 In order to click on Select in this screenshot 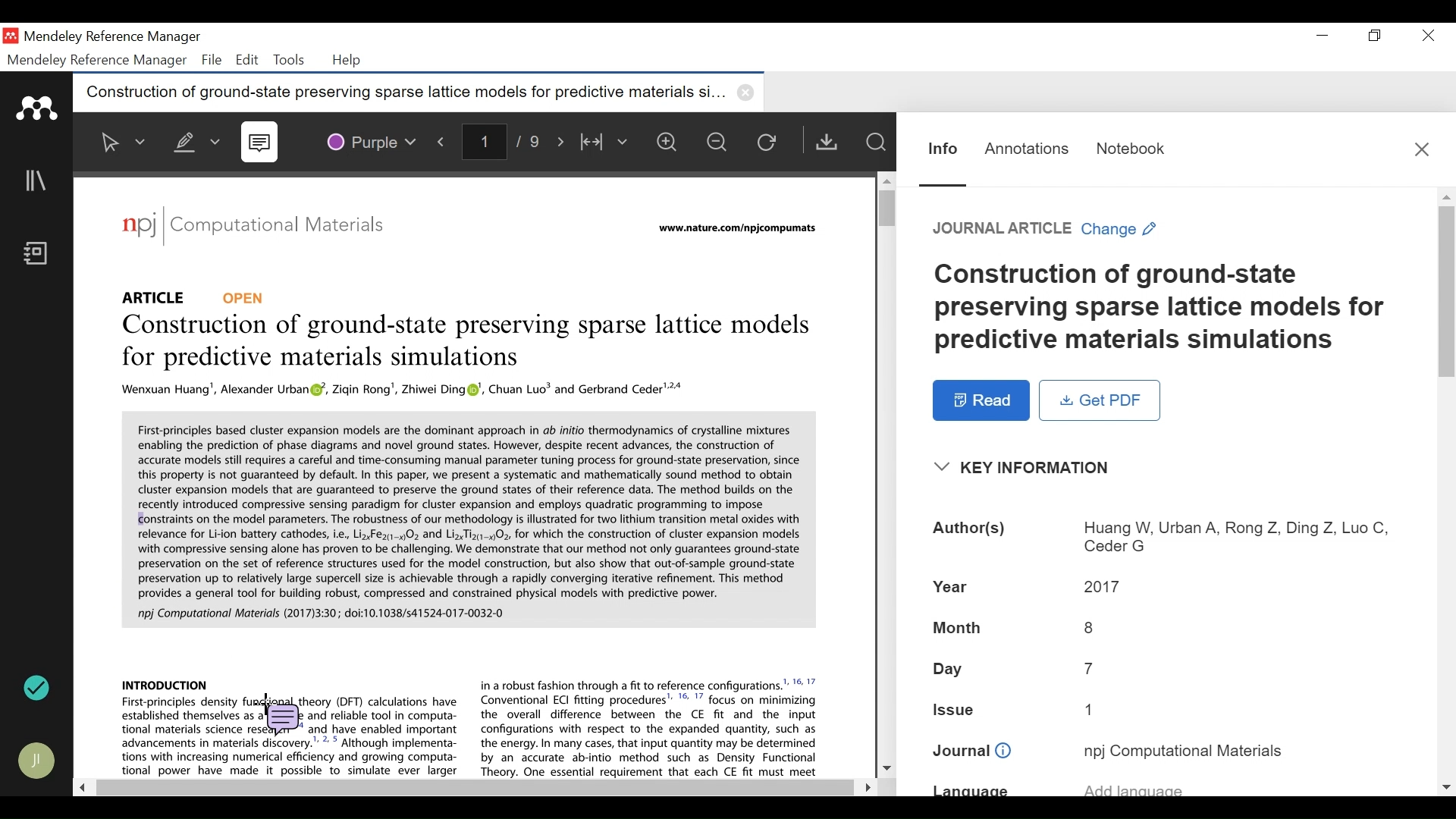, I will do `click(121, 142)`.